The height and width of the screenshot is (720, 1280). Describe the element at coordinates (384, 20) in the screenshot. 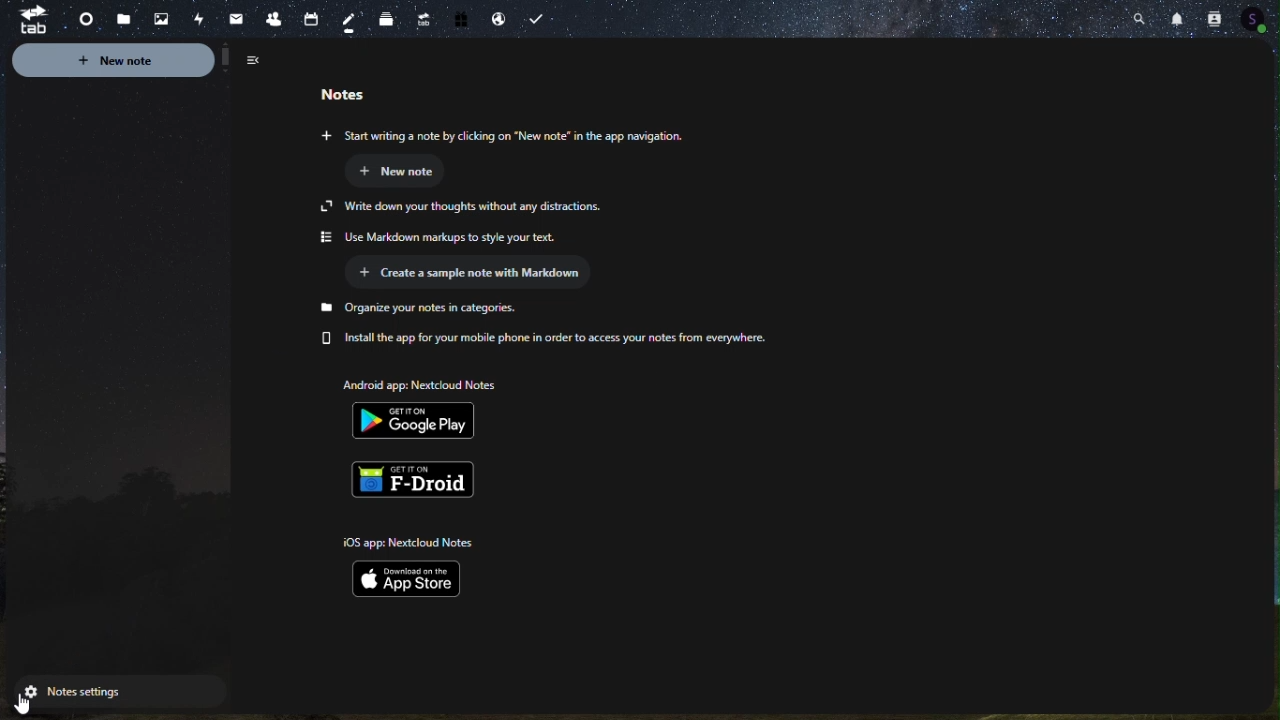

I see `Deck` at that location.